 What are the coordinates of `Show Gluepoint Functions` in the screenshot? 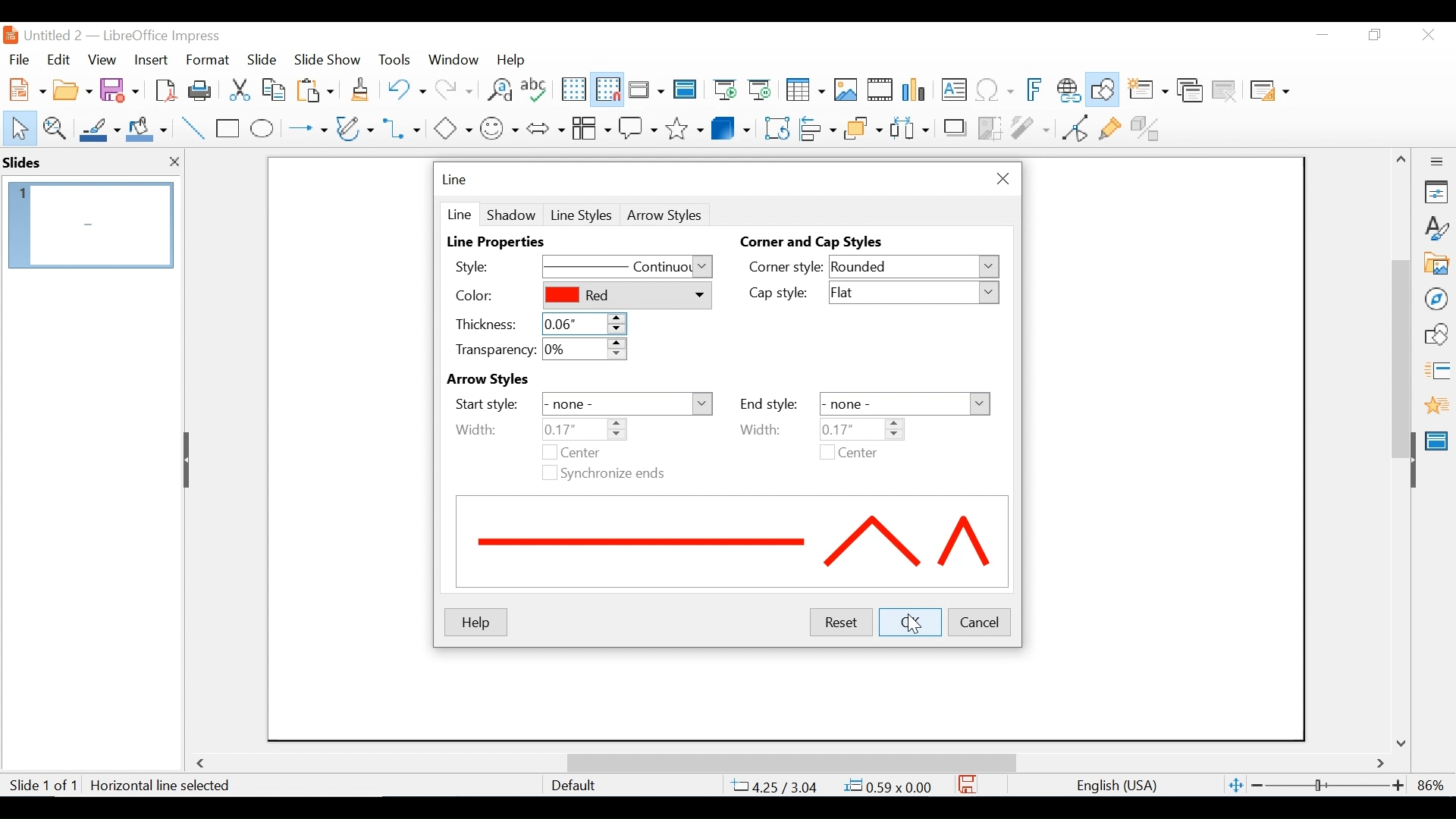 It's located at (1109, 127).